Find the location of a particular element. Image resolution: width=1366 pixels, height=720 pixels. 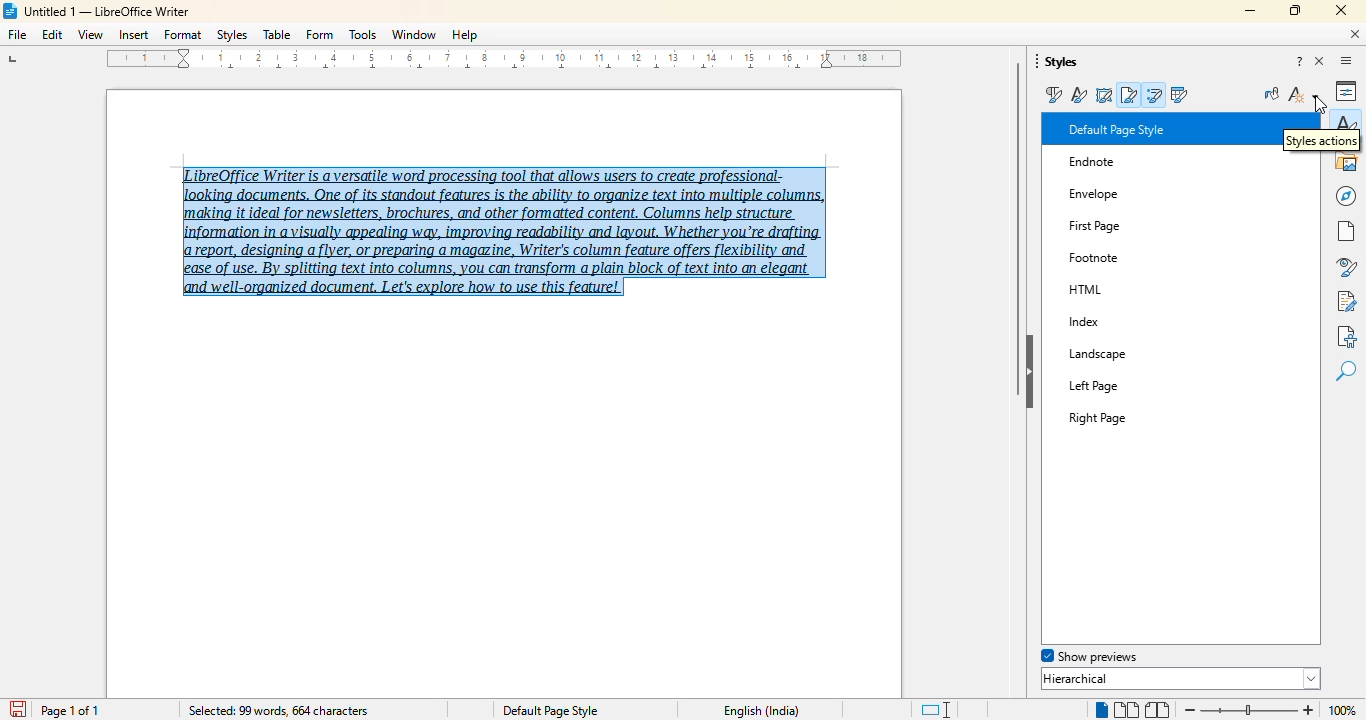

window is located at coordinates (415, 34).